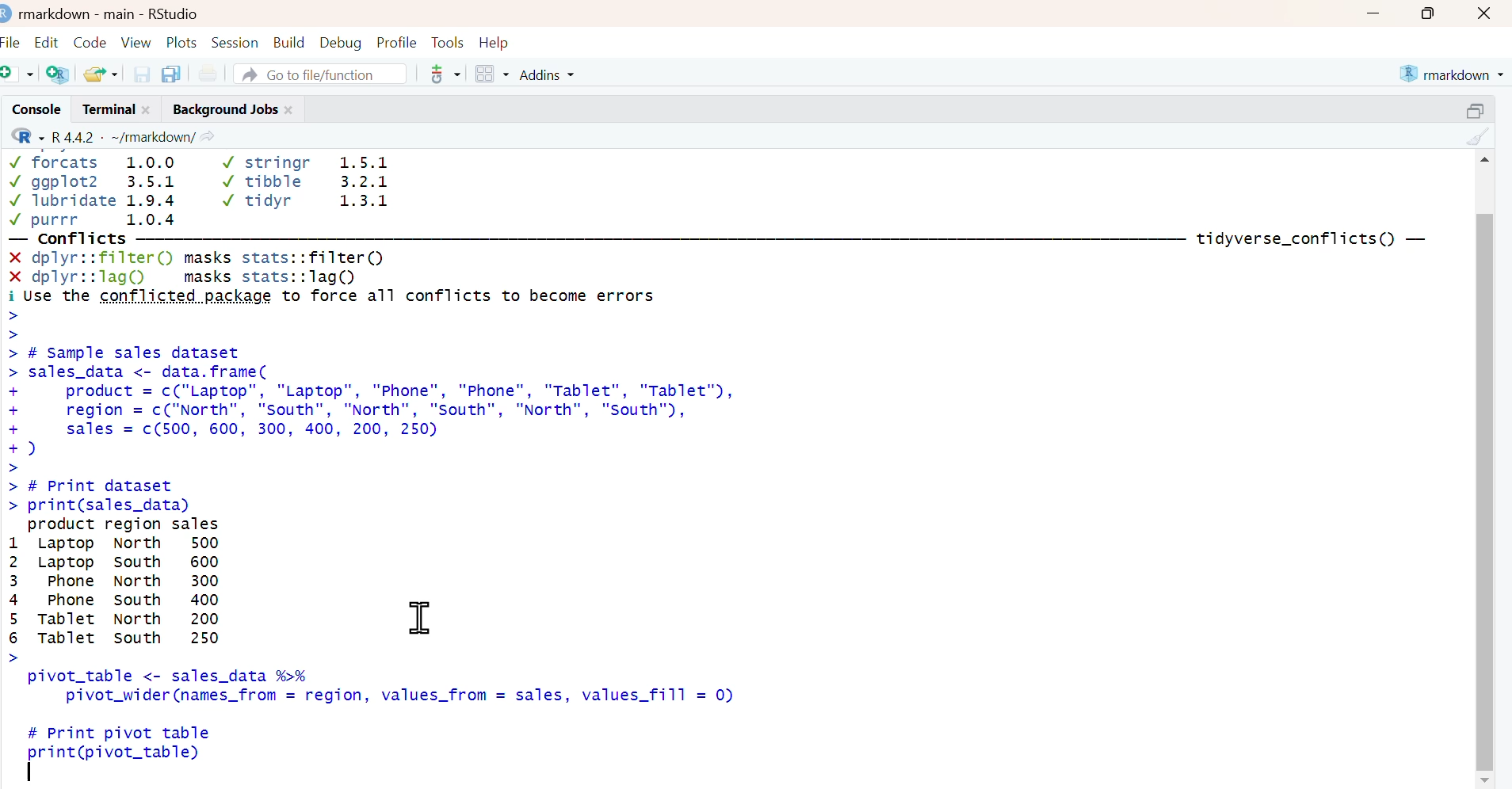 The image size is (1512, 789). Describe the element at coordinates (138, 40) in the screenshot. I see `View` at that location.